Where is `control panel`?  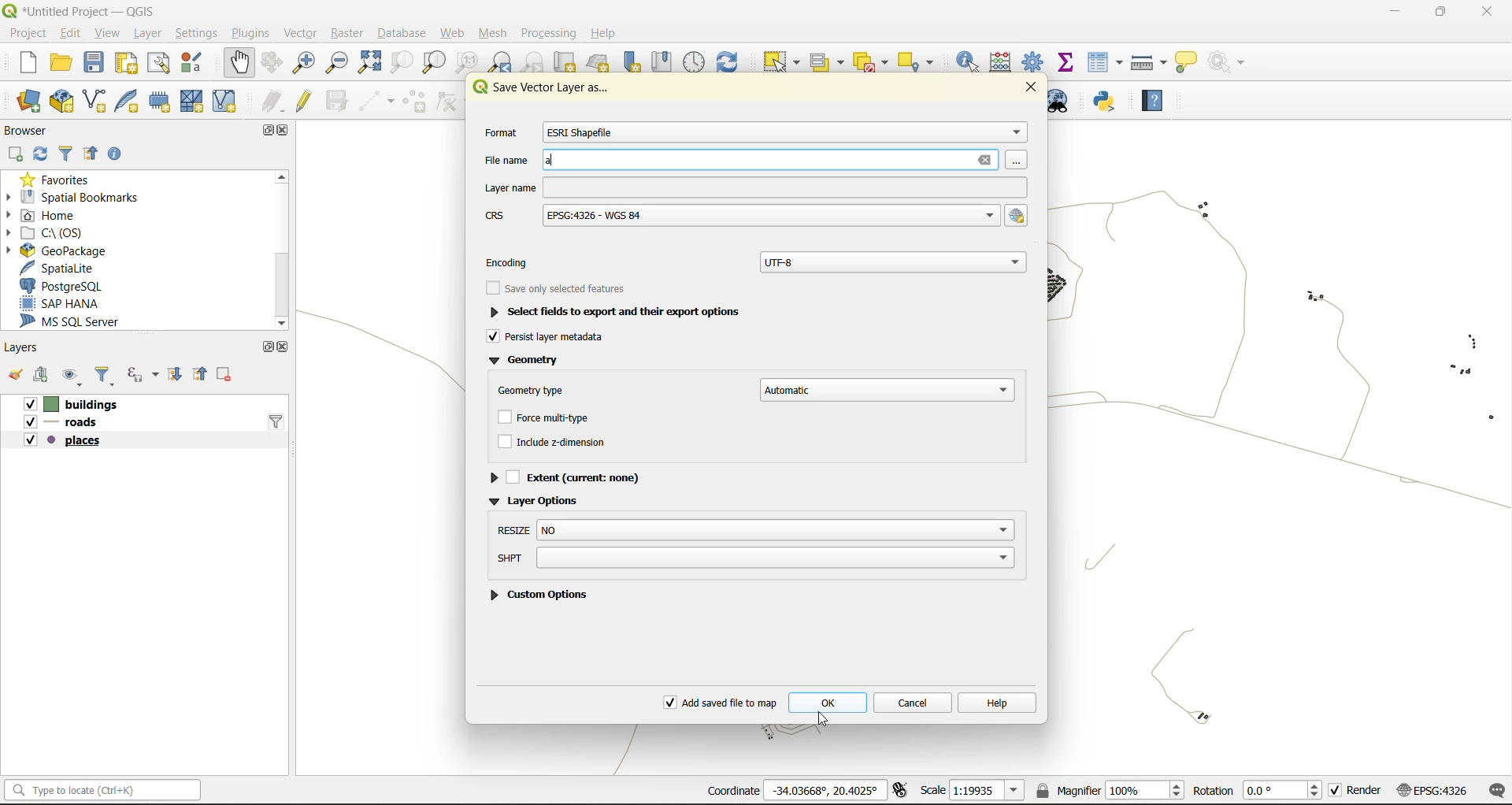
control panel is located at coordinates (695, 61).